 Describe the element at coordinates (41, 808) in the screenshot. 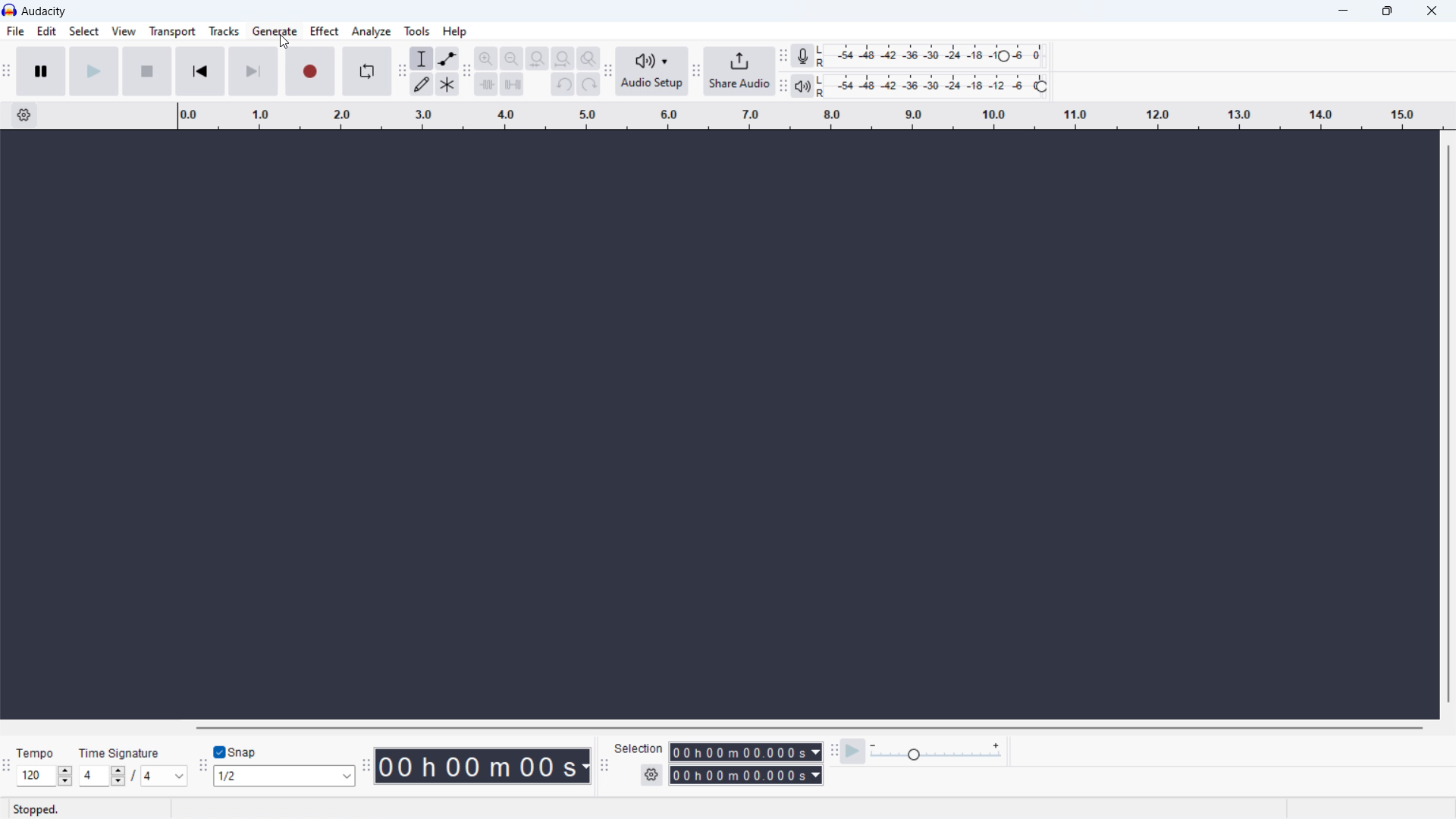

I see `stopped.` at that location.